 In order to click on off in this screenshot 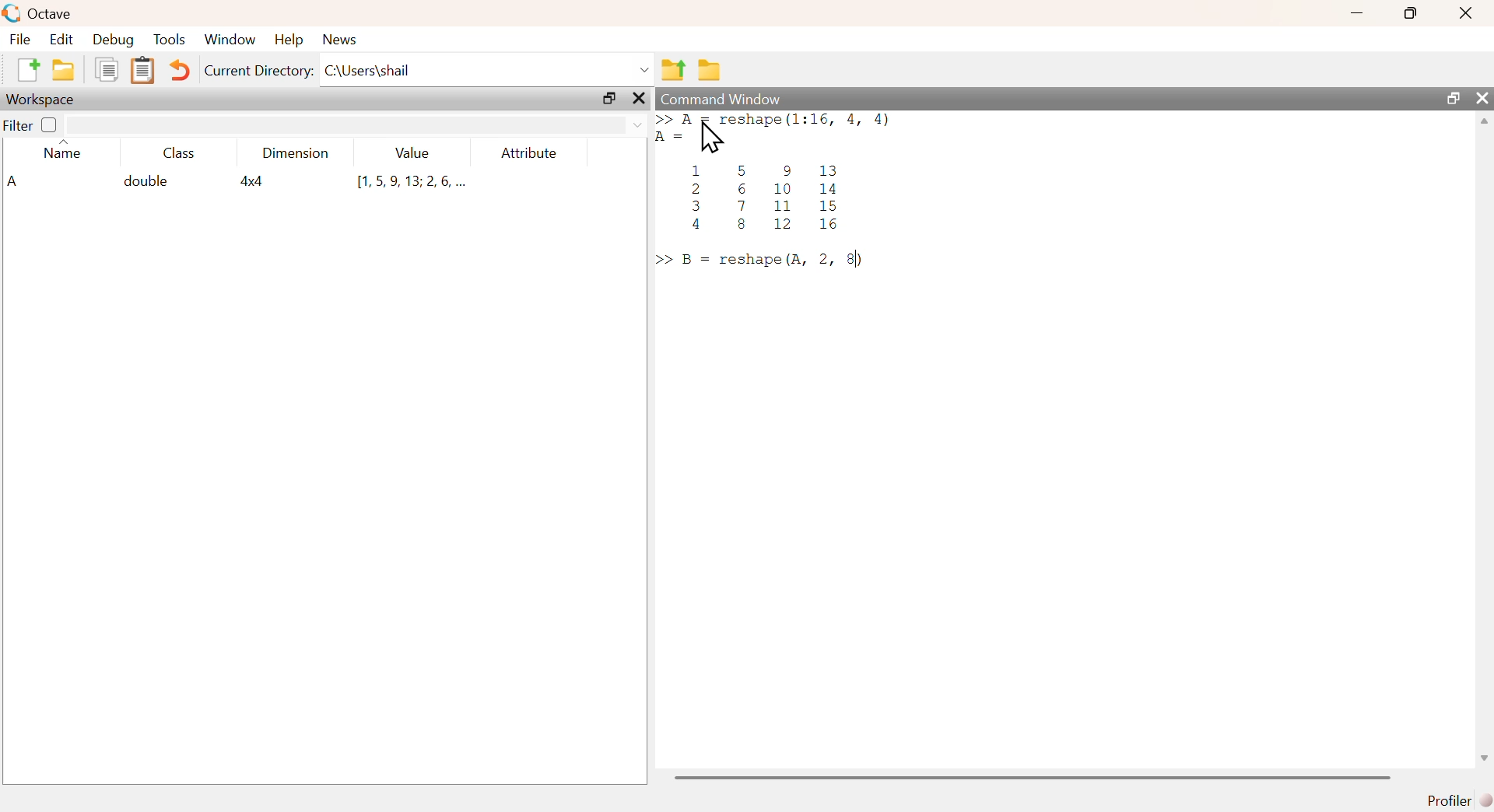, I will do `click(49, 125)`.